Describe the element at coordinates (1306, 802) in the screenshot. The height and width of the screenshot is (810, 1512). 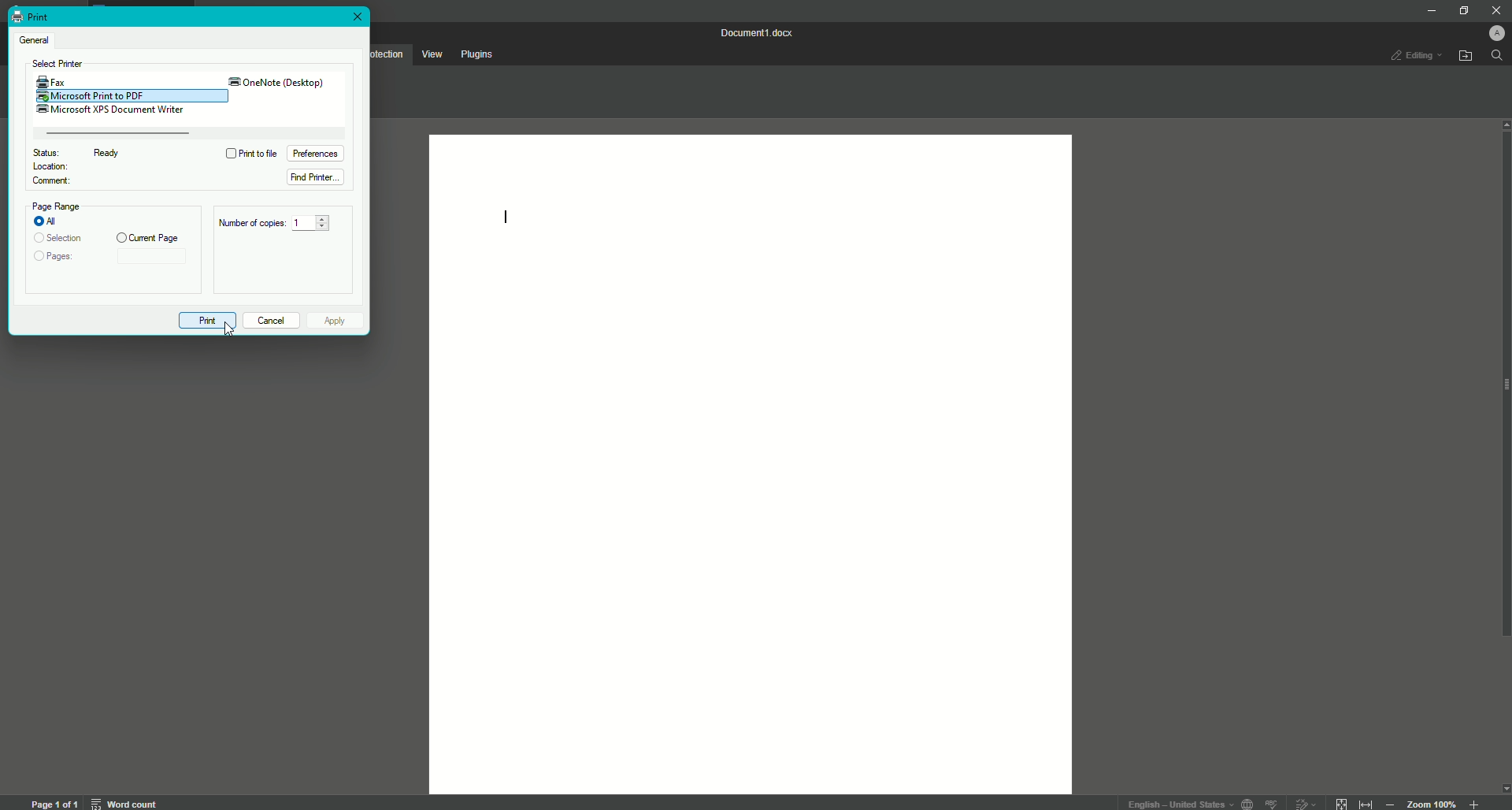
I see `track changes` at that location.